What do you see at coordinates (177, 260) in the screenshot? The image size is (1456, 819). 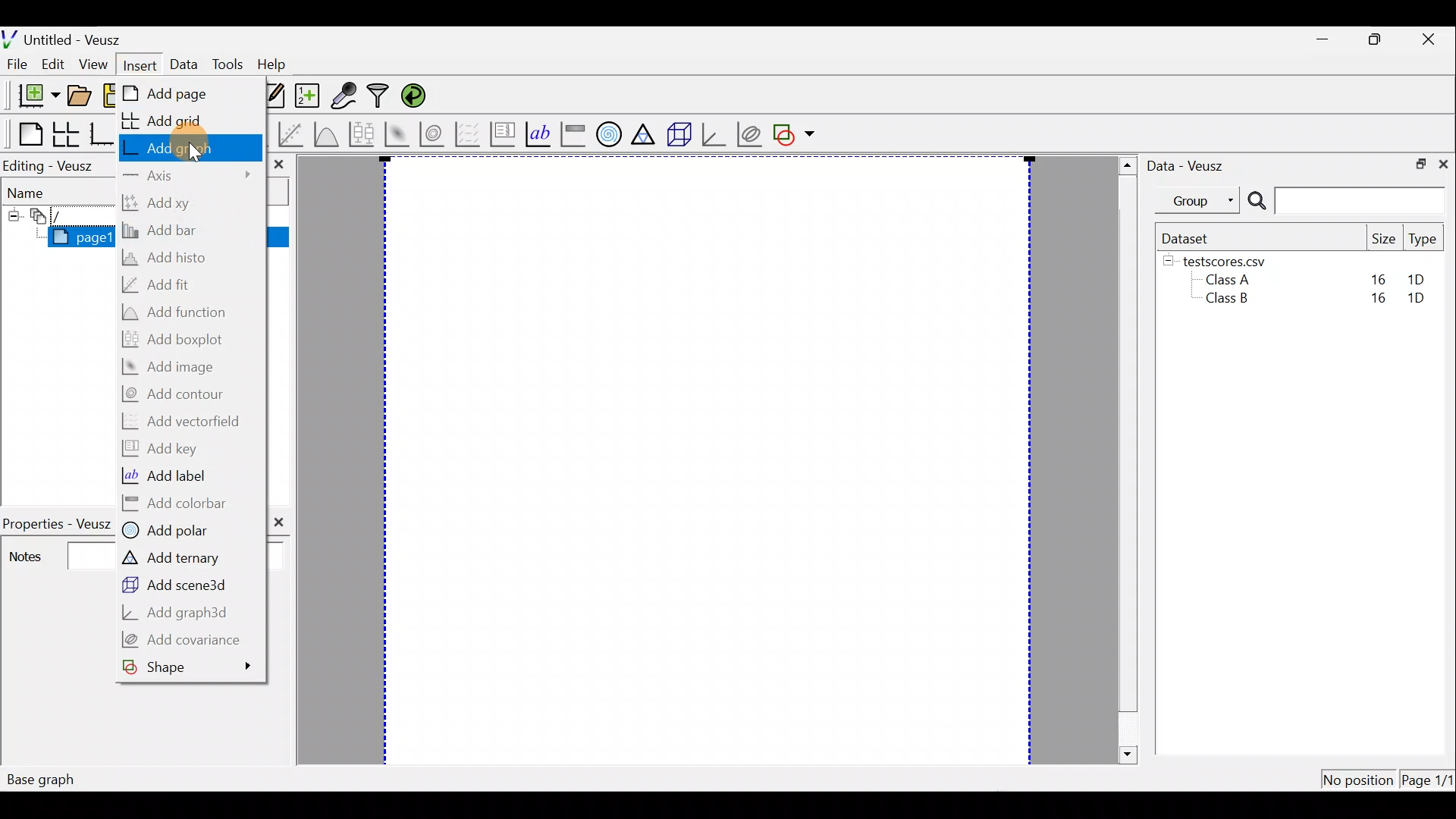 I see `Add histo` at bounding box center [177, 260].